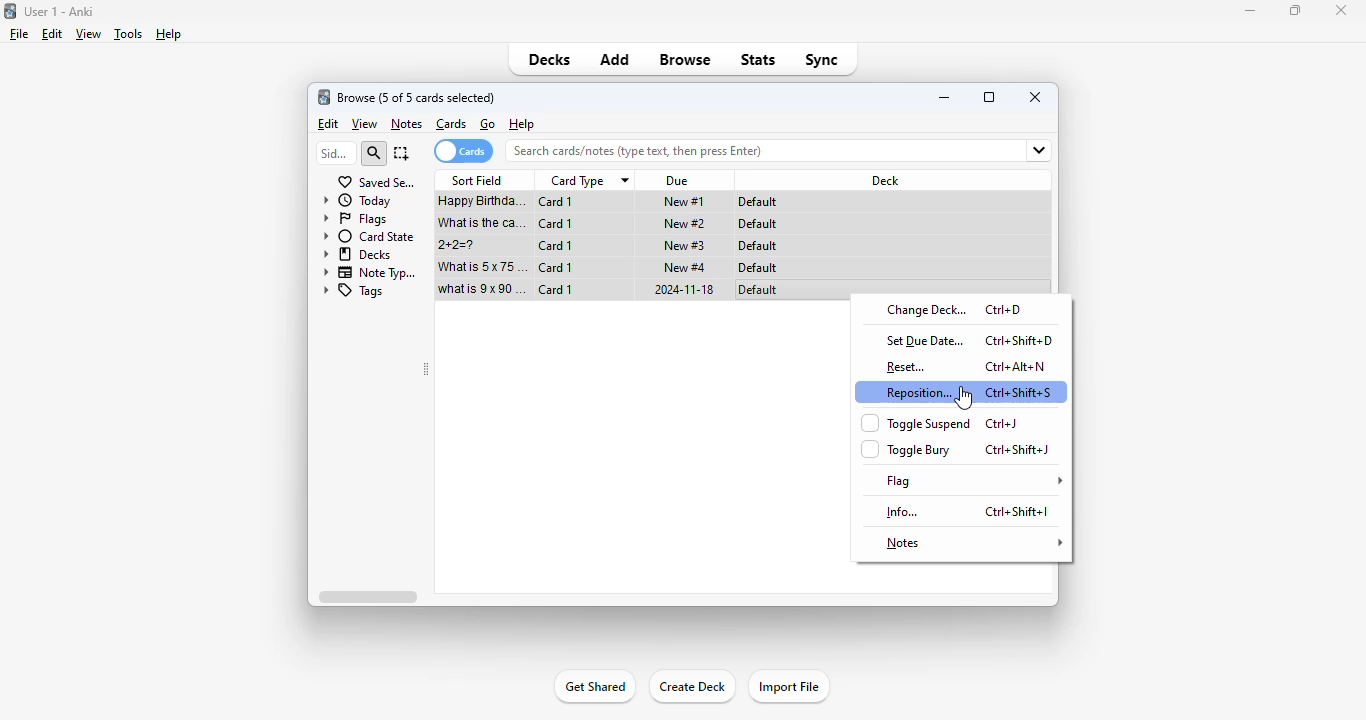  I want to click on horizontal scroll bar, so click(367, 596).